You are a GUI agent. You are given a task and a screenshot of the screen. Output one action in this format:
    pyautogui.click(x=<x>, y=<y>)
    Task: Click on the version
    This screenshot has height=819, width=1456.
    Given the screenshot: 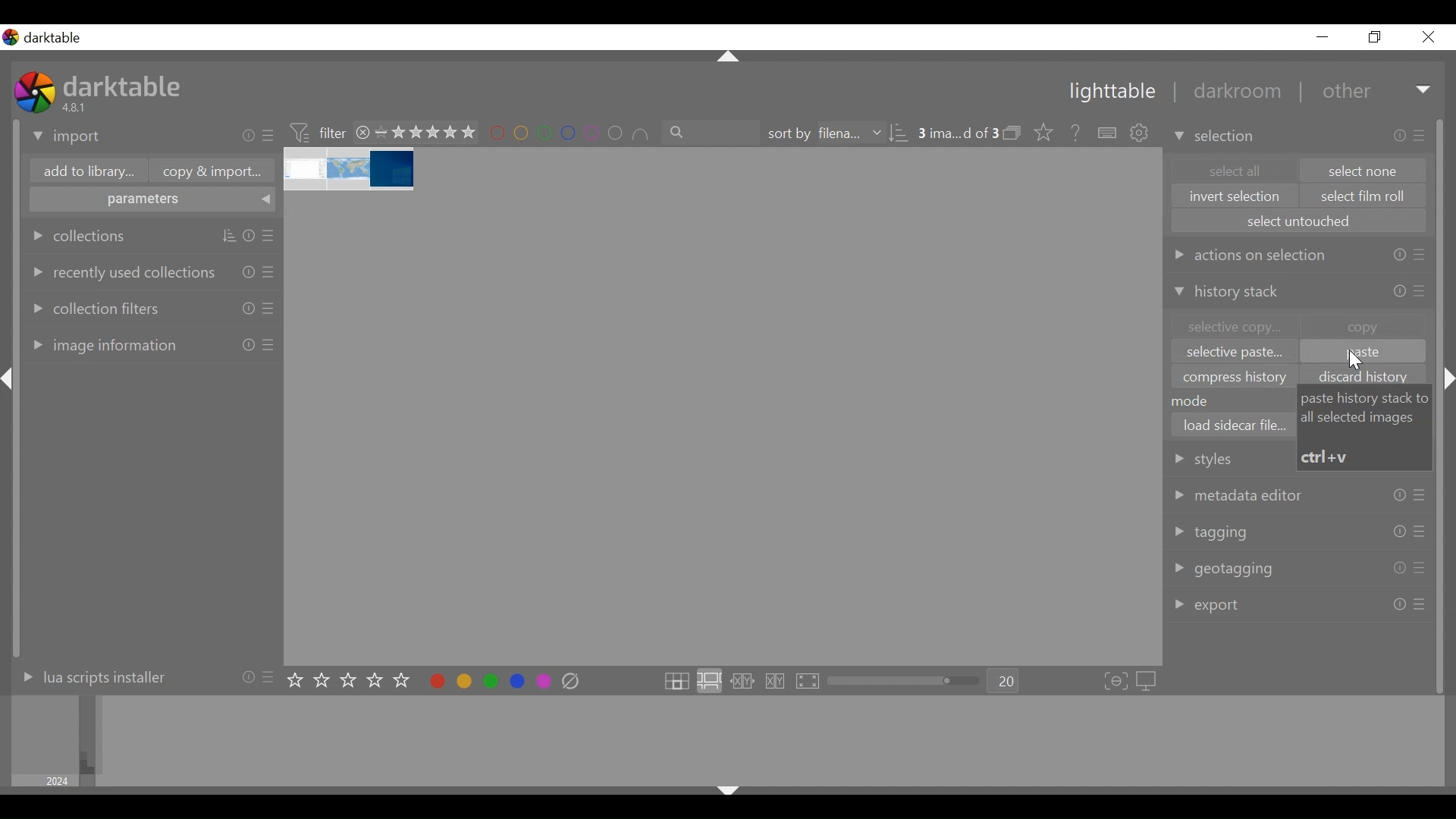 What is the action you would take?
    pyautogui.click(x=77, y=107)
    